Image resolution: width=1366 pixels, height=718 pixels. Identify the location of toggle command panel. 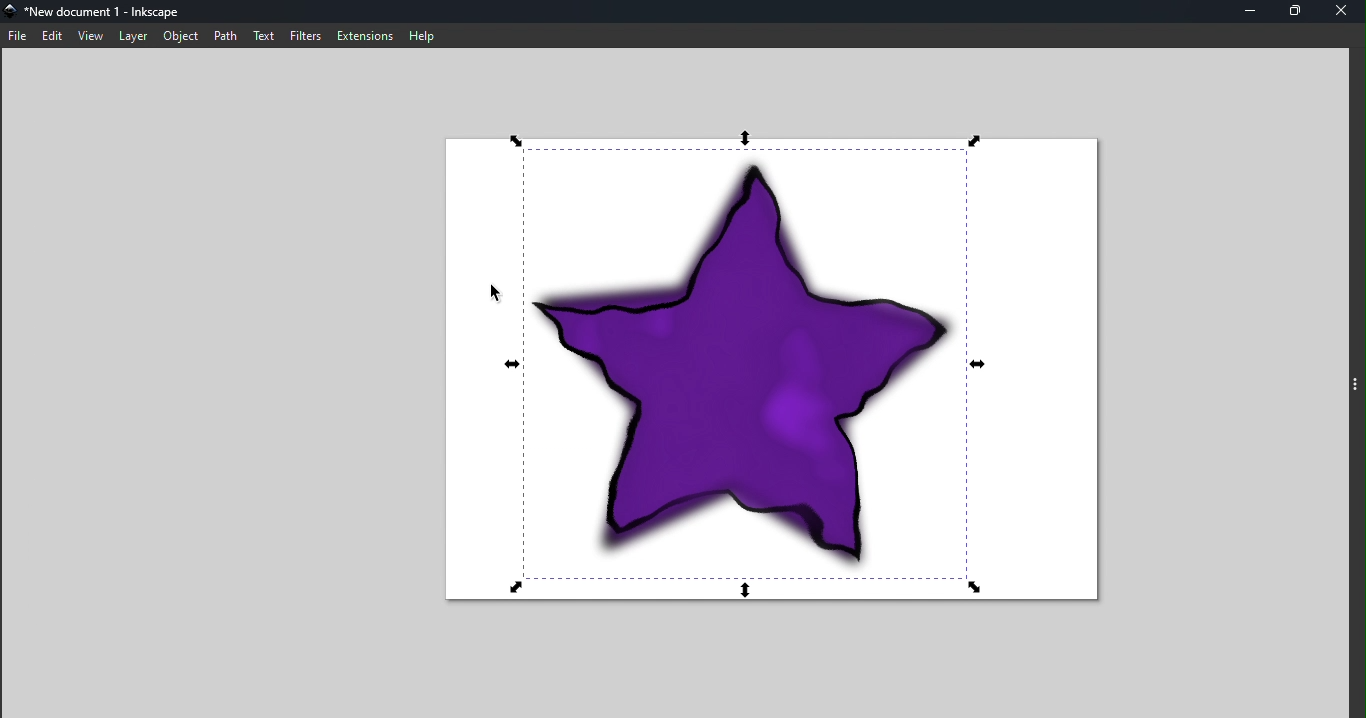
(1357, 388).